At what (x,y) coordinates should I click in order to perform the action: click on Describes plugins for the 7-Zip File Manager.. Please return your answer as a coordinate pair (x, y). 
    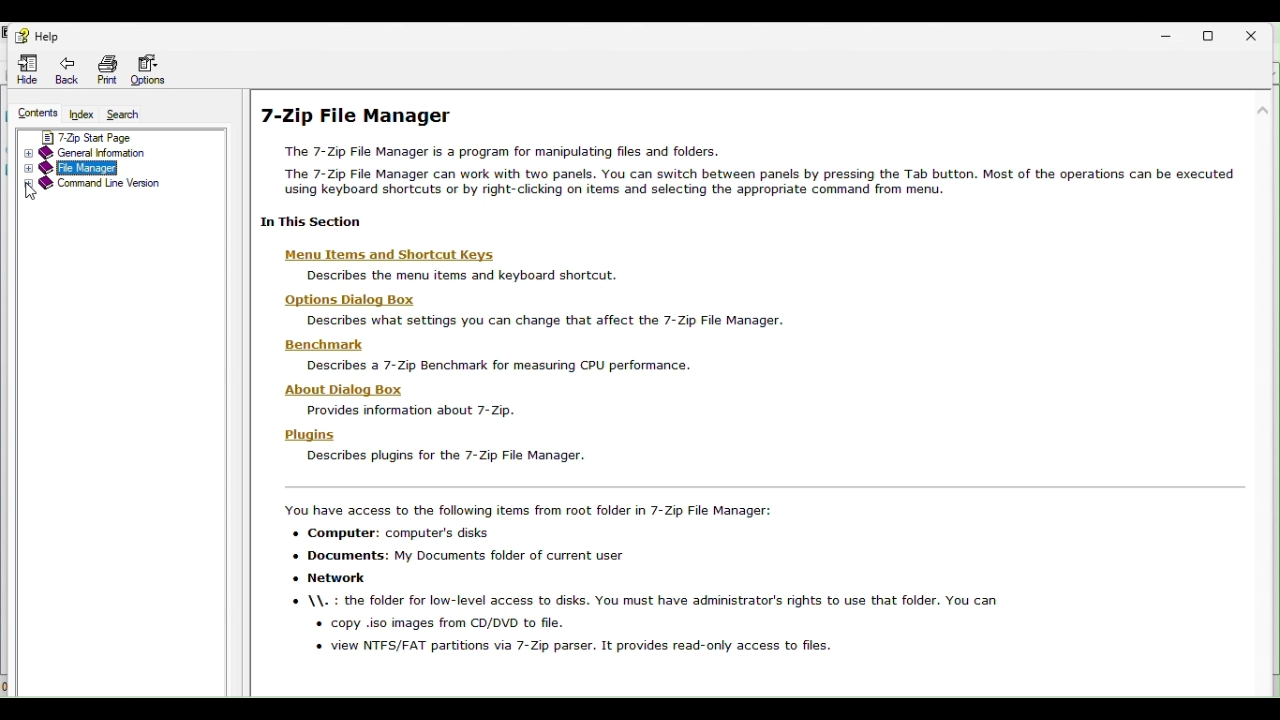
    Looking at the image, I should click on (436, 456).